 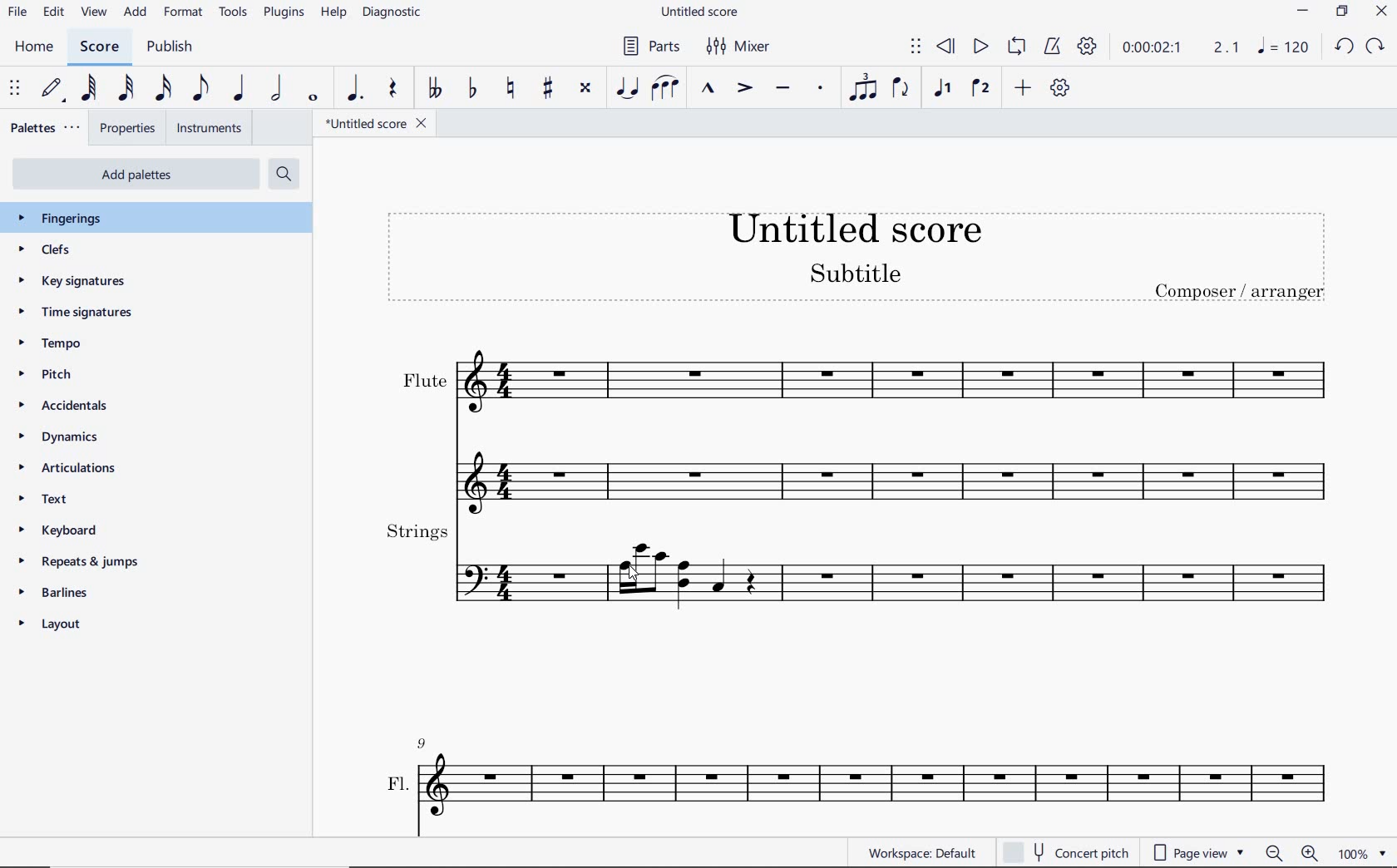 I want to click on key signatures, so click(x=73, y=282).